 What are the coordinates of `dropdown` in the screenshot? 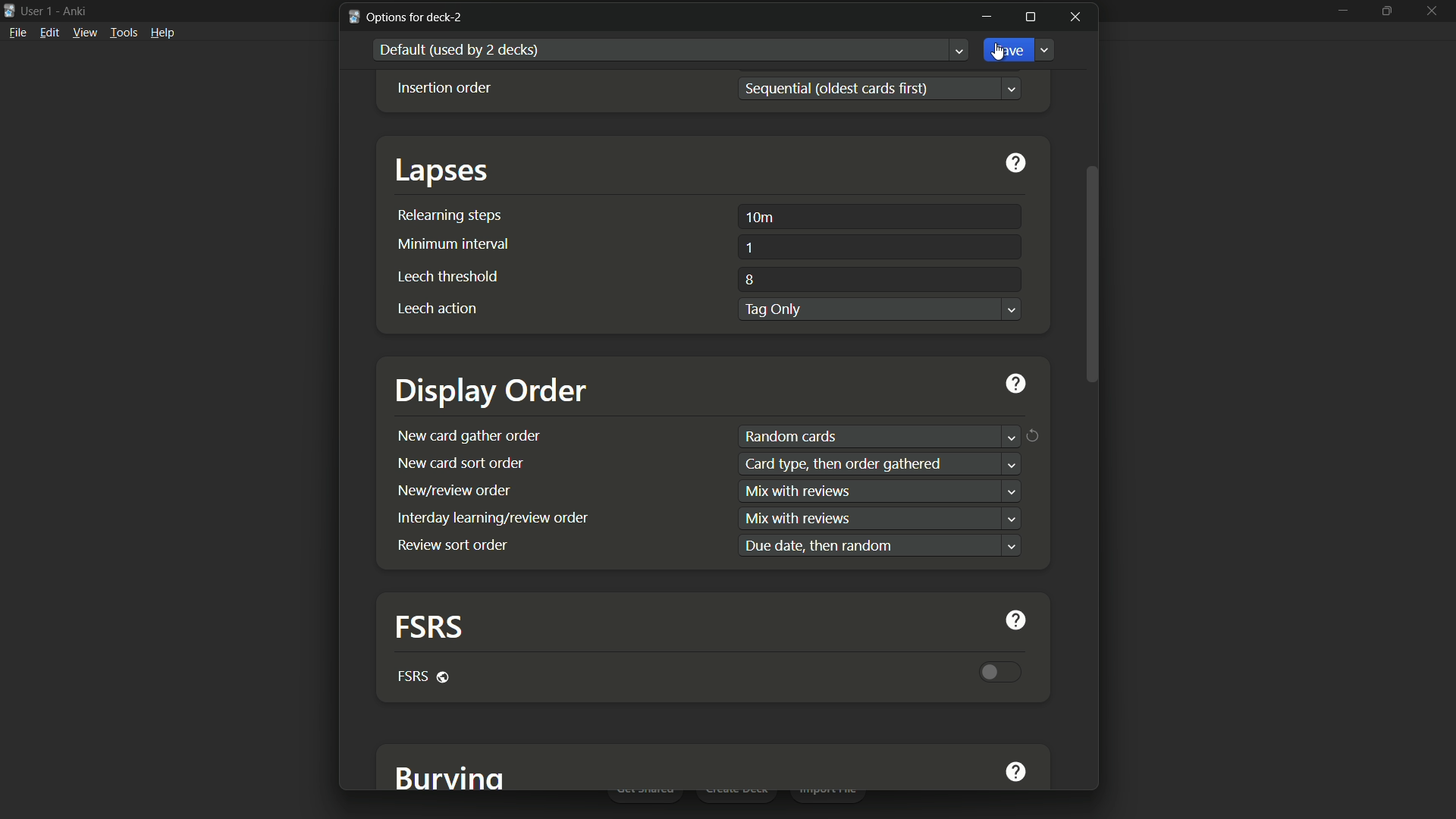 It's located at (1012, 491).